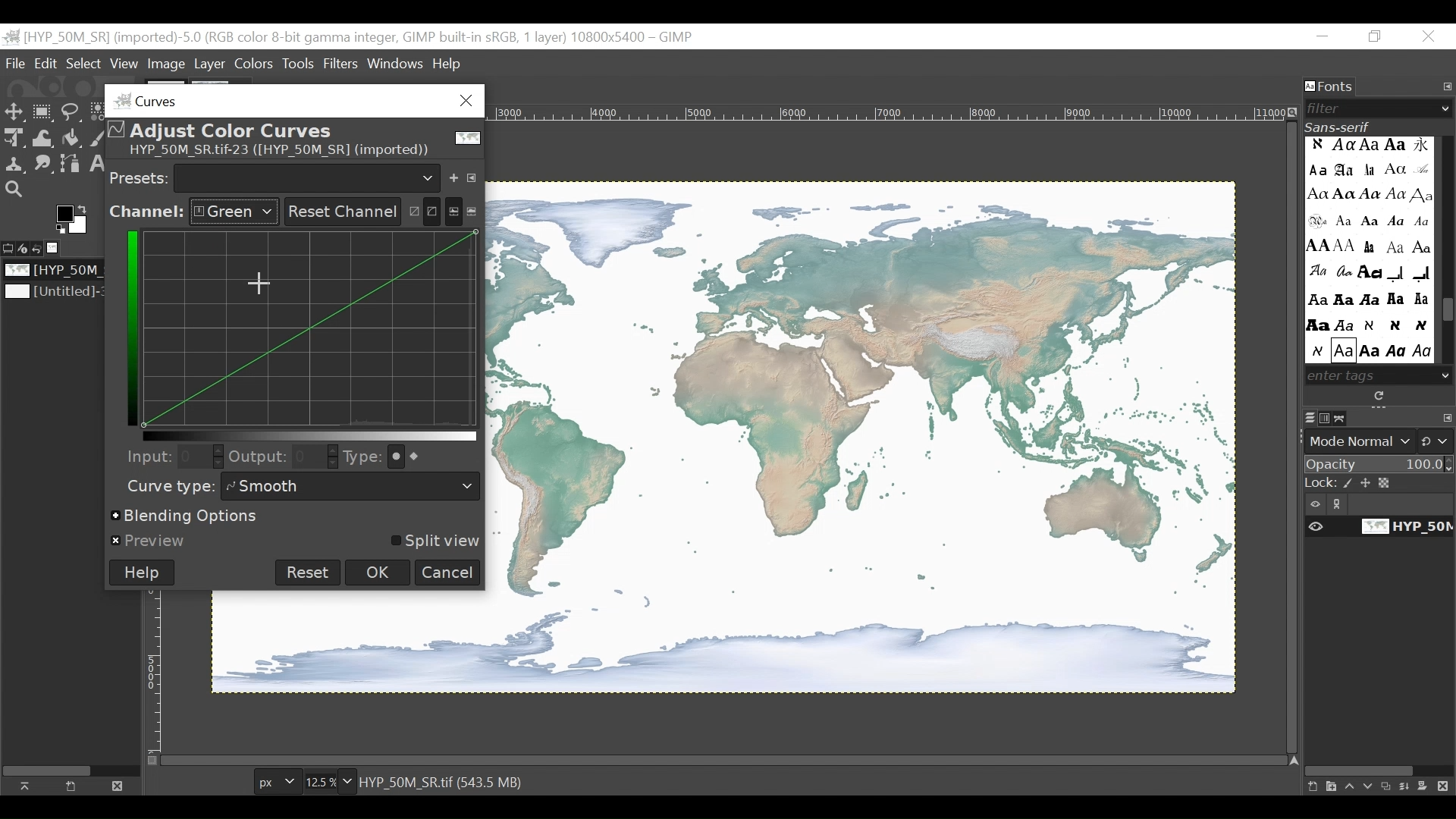 Image resolution: width=1456 pixels, height=819 pixels. Describe the element at coordinates (142, 573) in the screenshot. I see `Help` at that location.